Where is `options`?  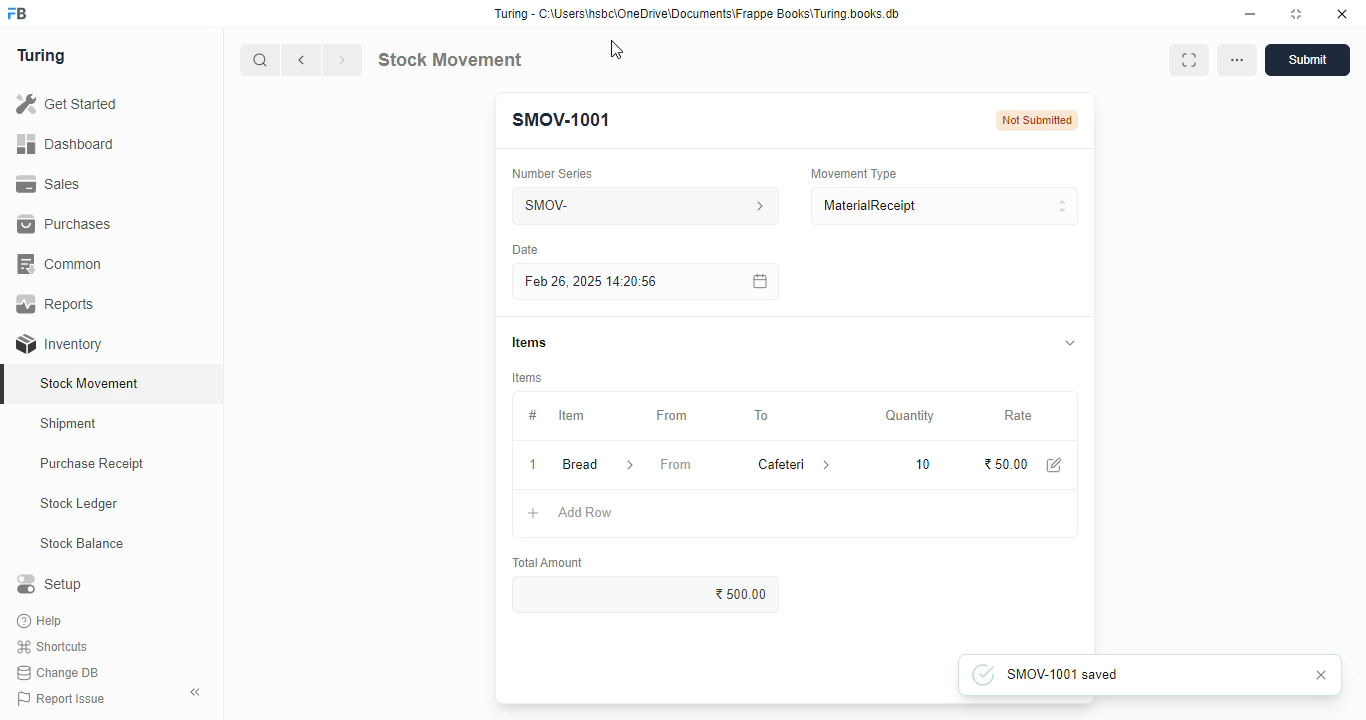 options is located at coordinates (1237, 59).